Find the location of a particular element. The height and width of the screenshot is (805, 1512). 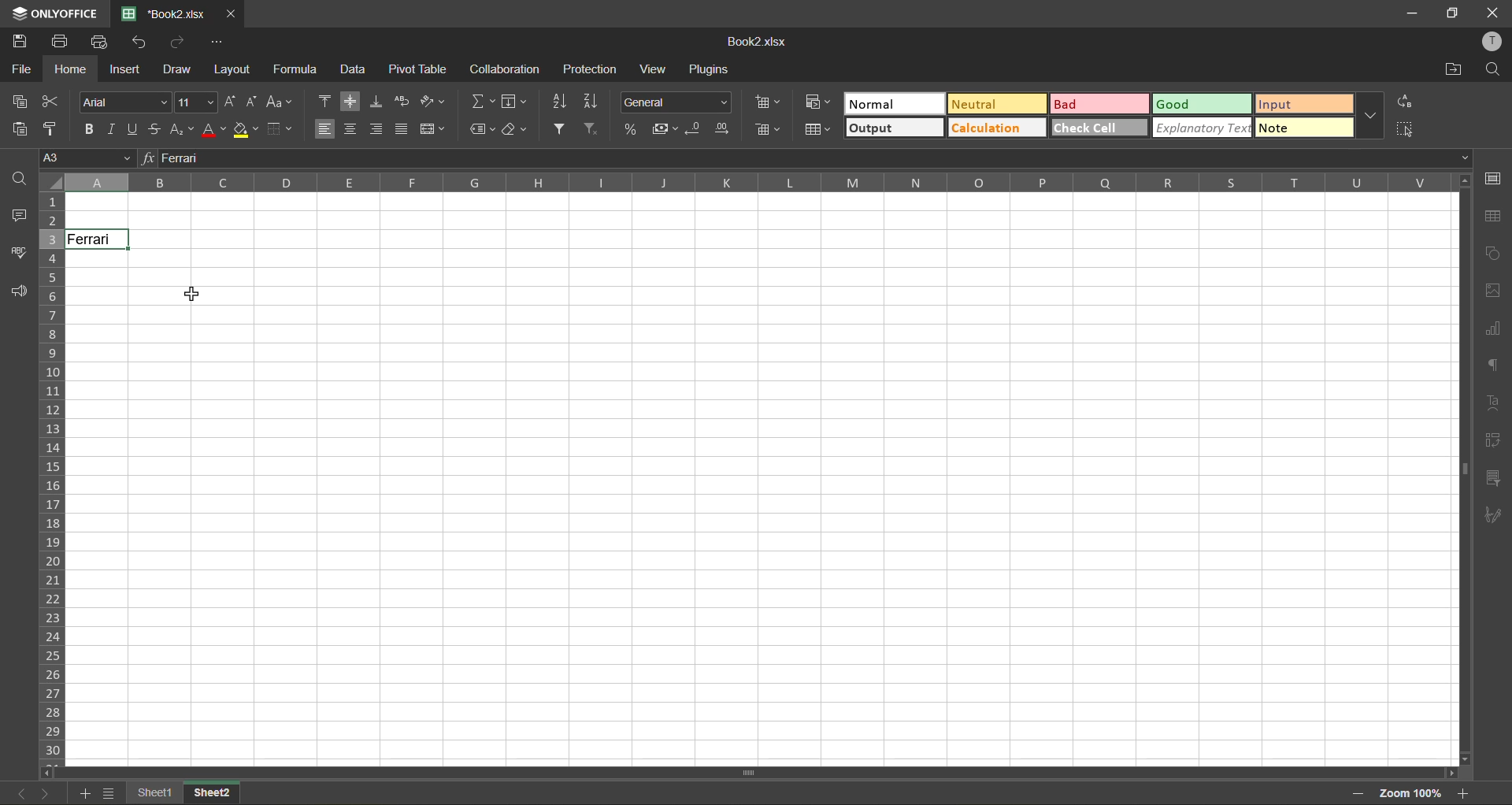

pivot table is located at coordinates (418, 68).